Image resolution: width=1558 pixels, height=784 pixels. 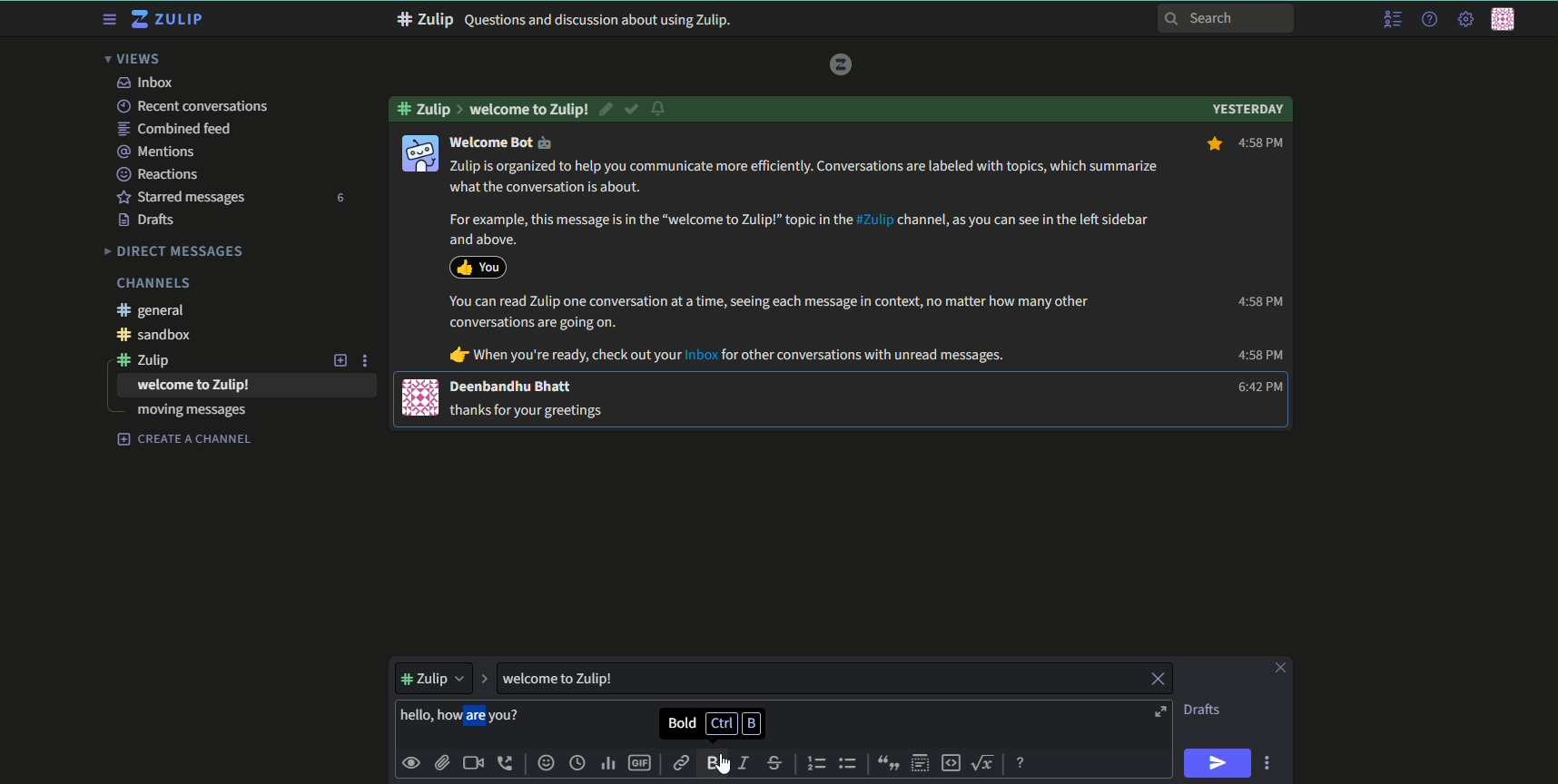 What do you see at coordinates (565, 20) in the screenshot?
I see `# Zulip Questions and discussion about using Zulip.` at bounding box center [565, 20].